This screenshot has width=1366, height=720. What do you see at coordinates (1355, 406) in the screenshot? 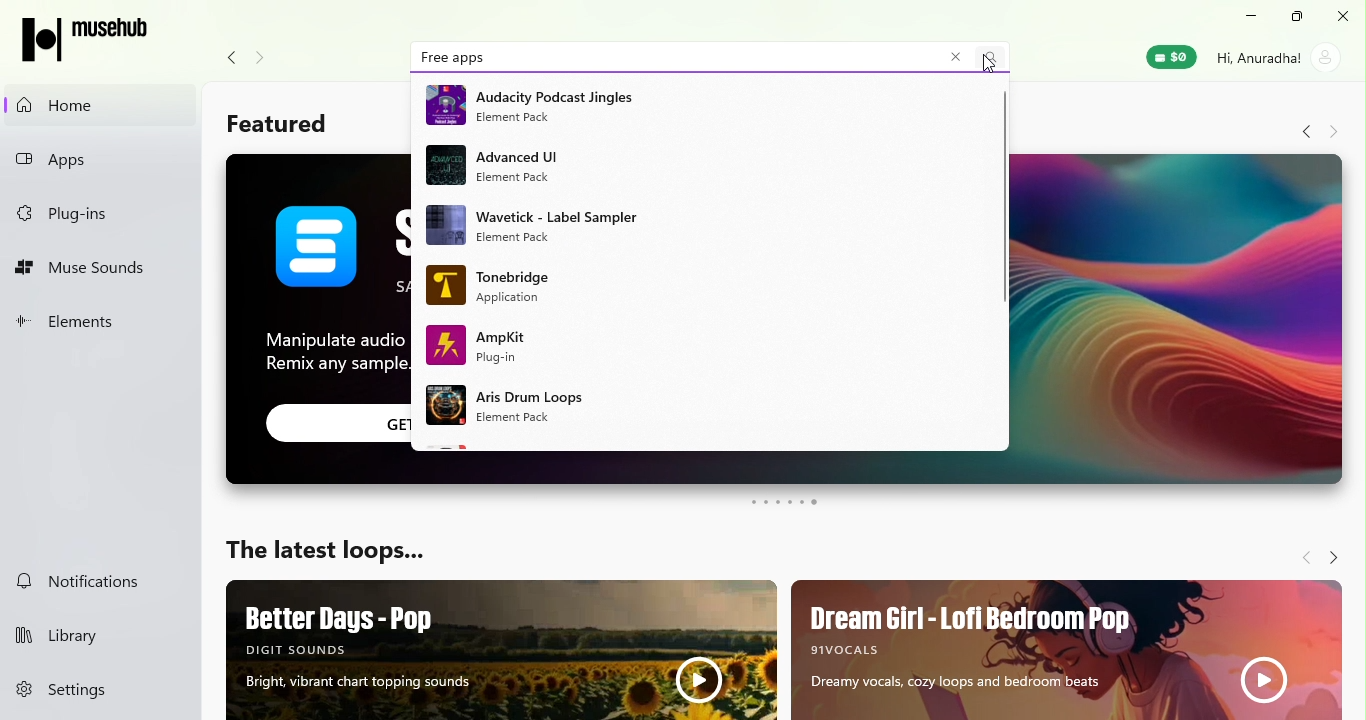
I see `Scroll bar` at bounding box center [1355, 406].